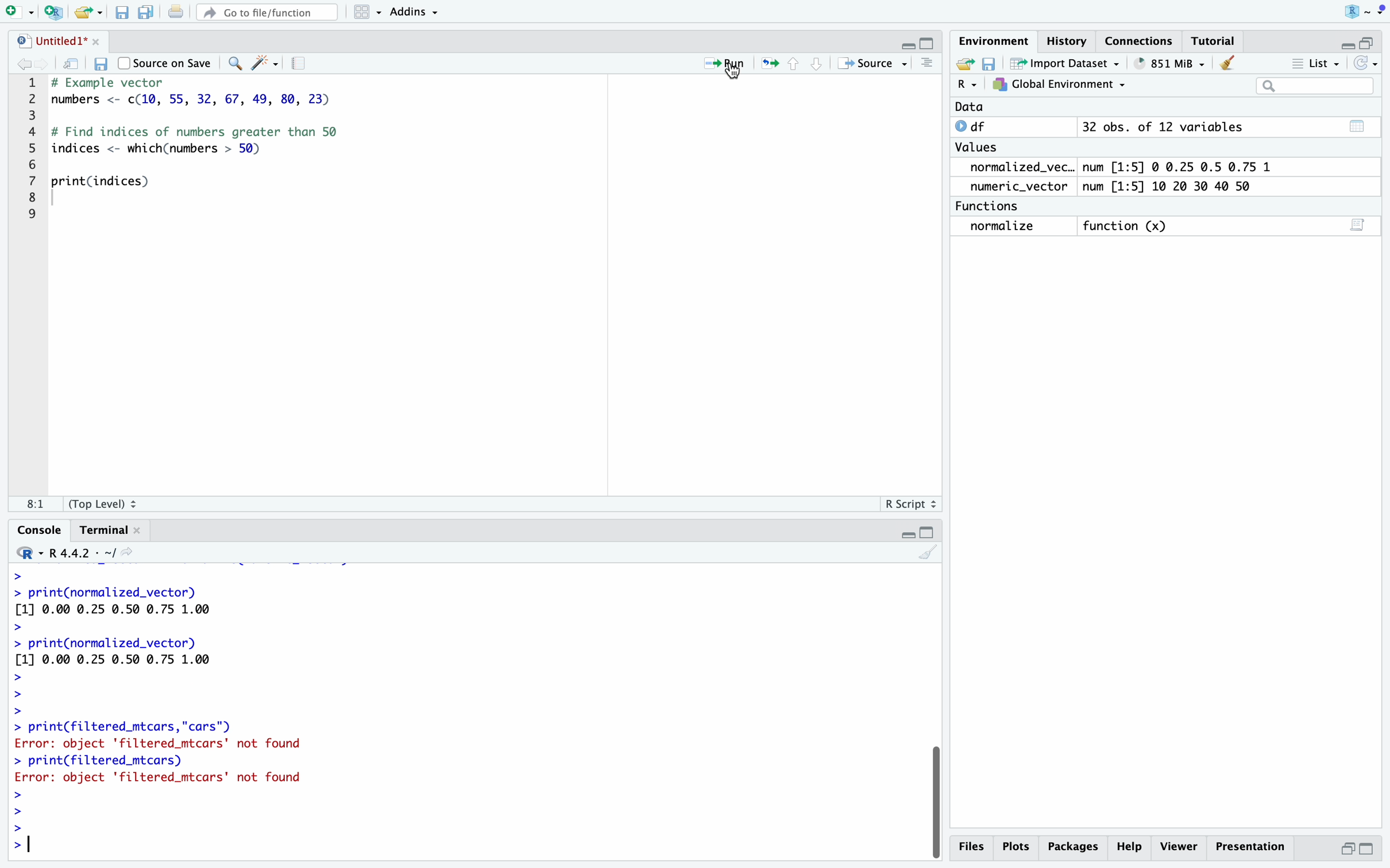  I want to click on  Untitled1, so click(57, 40).